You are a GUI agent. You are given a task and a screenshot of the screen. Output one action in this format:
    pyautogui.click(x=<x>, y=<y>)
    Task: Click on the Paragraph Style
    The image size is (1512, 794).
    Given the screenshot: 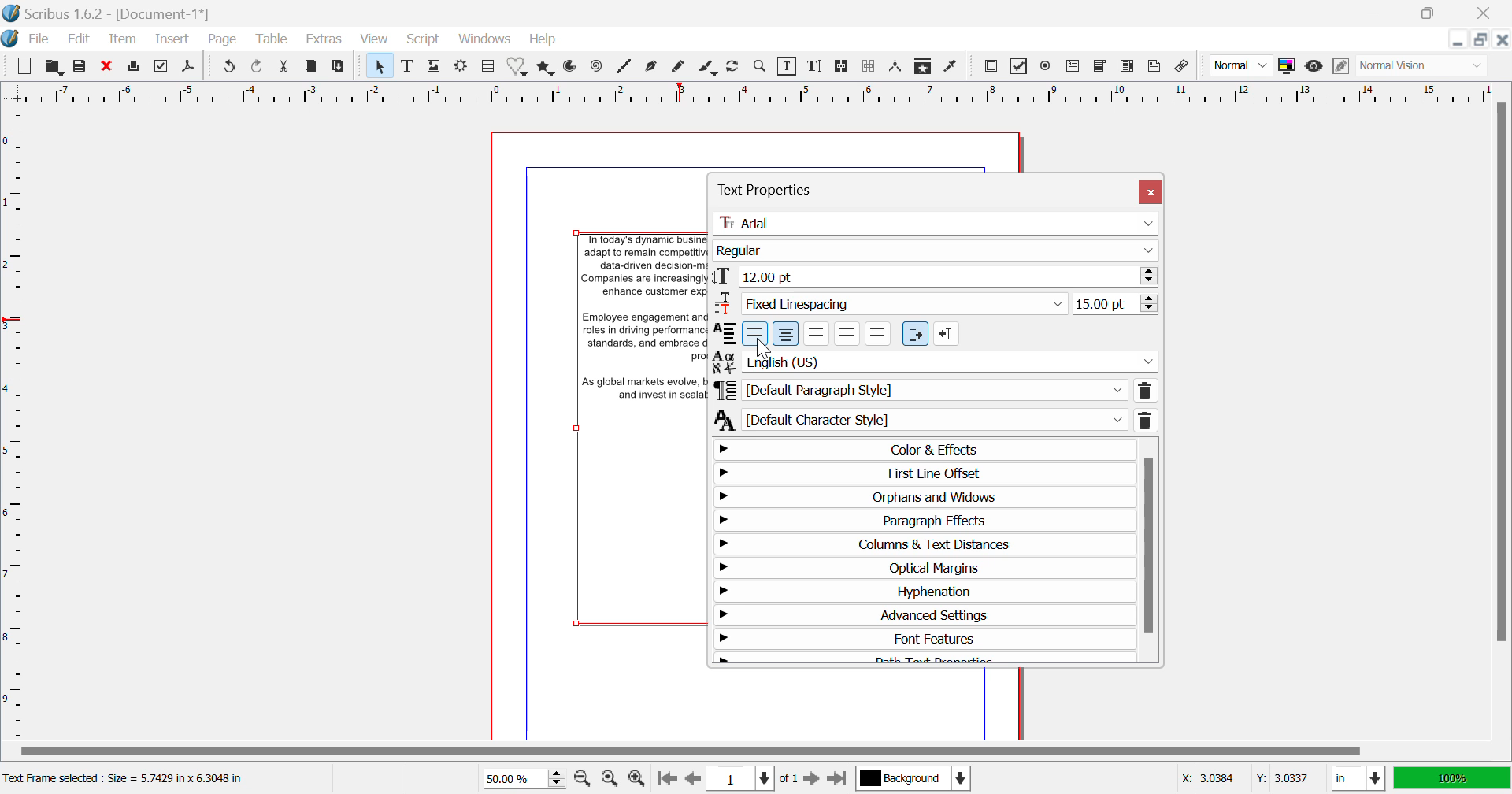 What is the action you would take?
    pyautogui.click(x=934, y=391)
    